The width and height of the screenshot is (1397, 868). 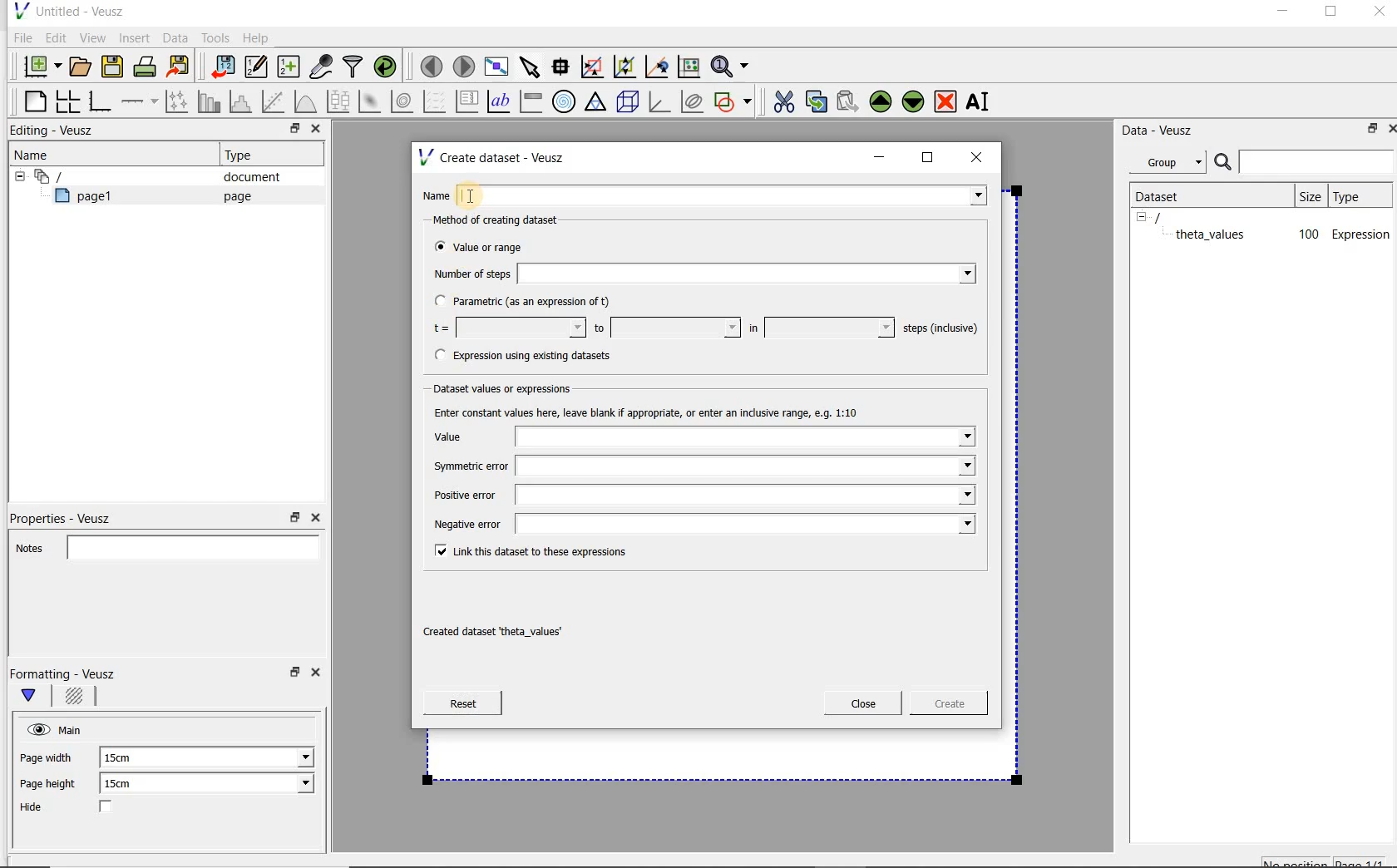 What do you see at coordinates (47, 755) in the screenshot?
I see `Page width` at bounding box center [47, 755].